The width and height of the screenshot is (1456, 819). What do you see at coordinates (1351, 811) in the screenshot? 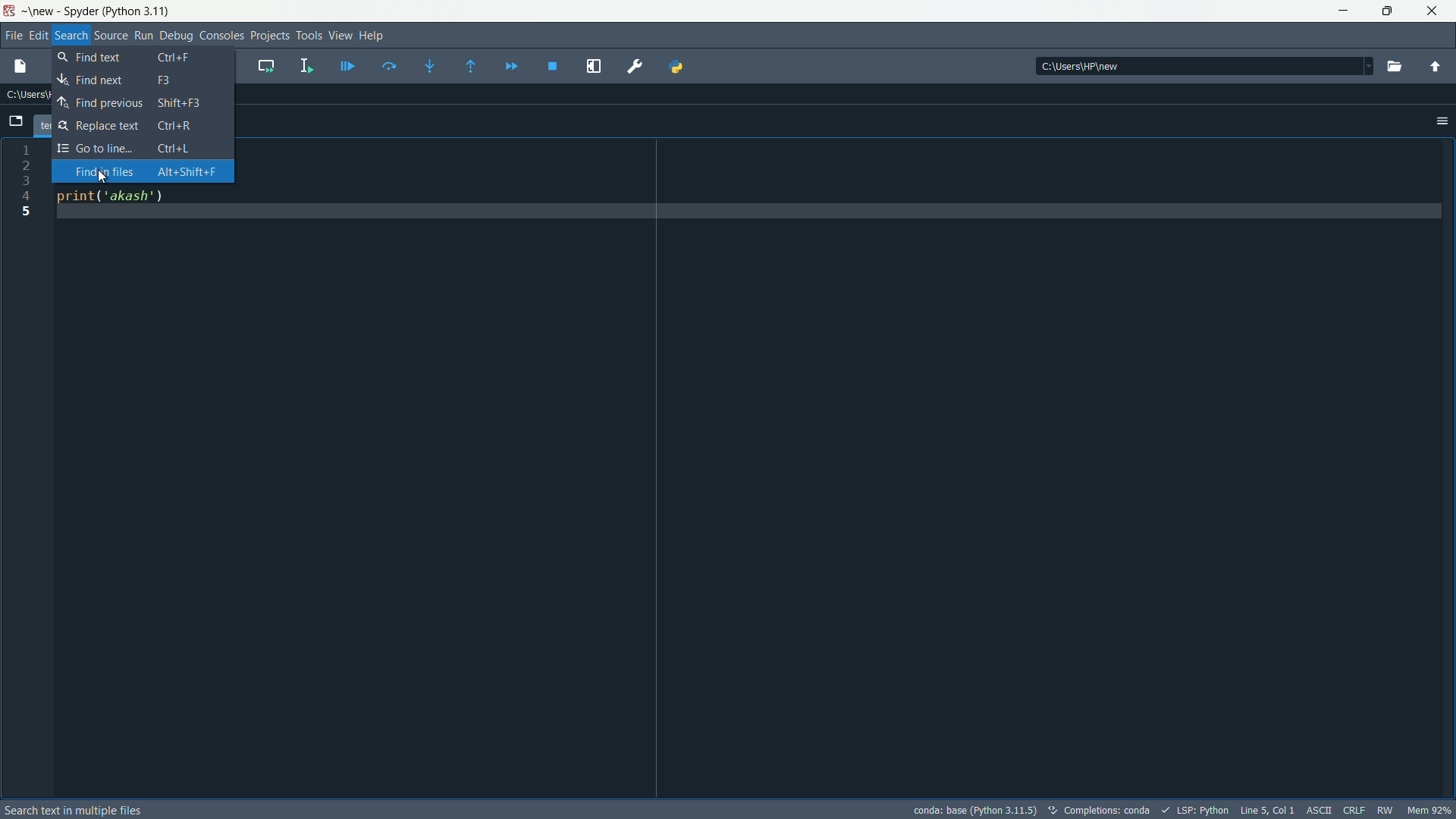
I see `CRLF` at bounding box center [1351, 811].